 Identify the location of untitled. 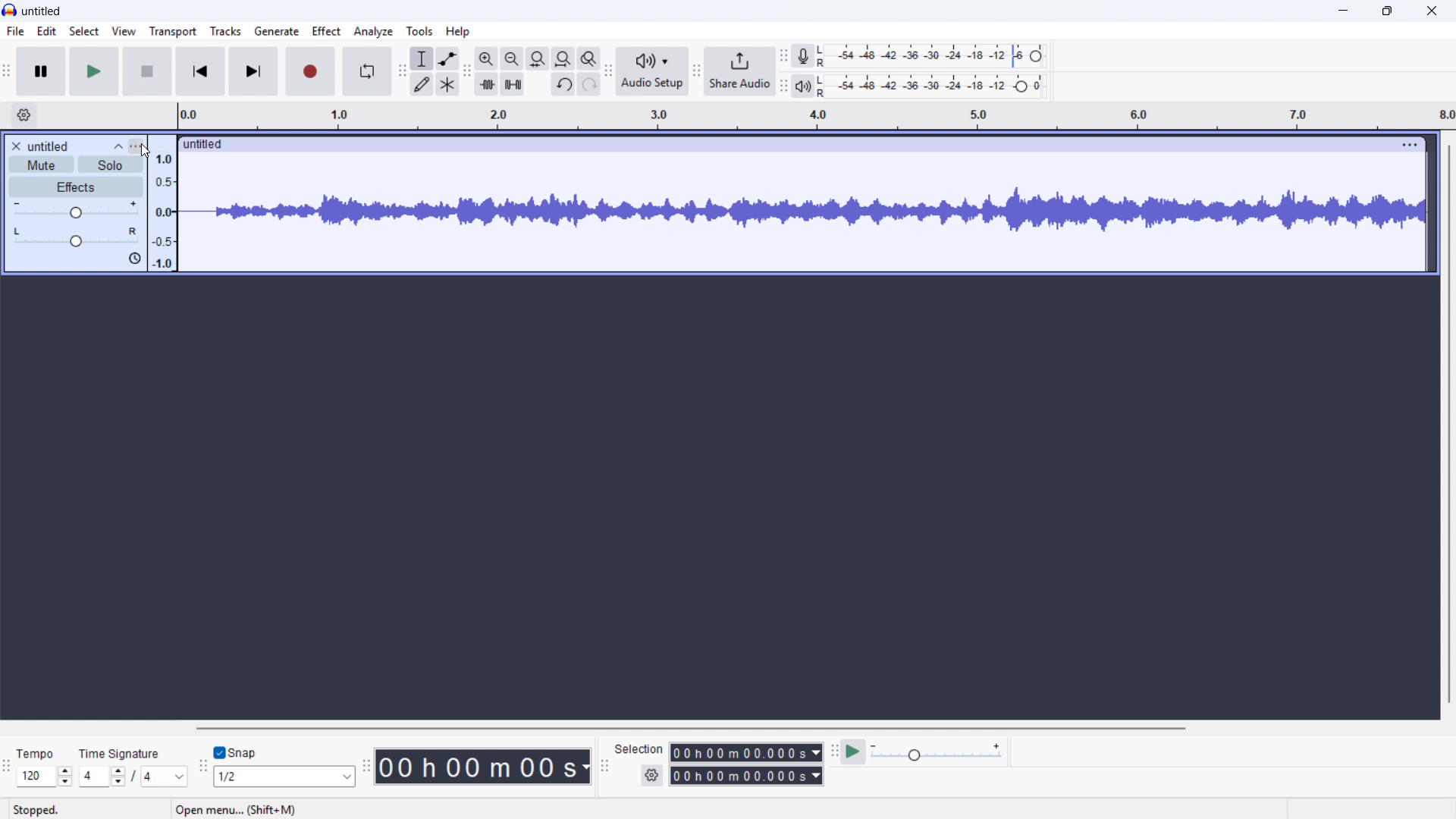
(49, 146).